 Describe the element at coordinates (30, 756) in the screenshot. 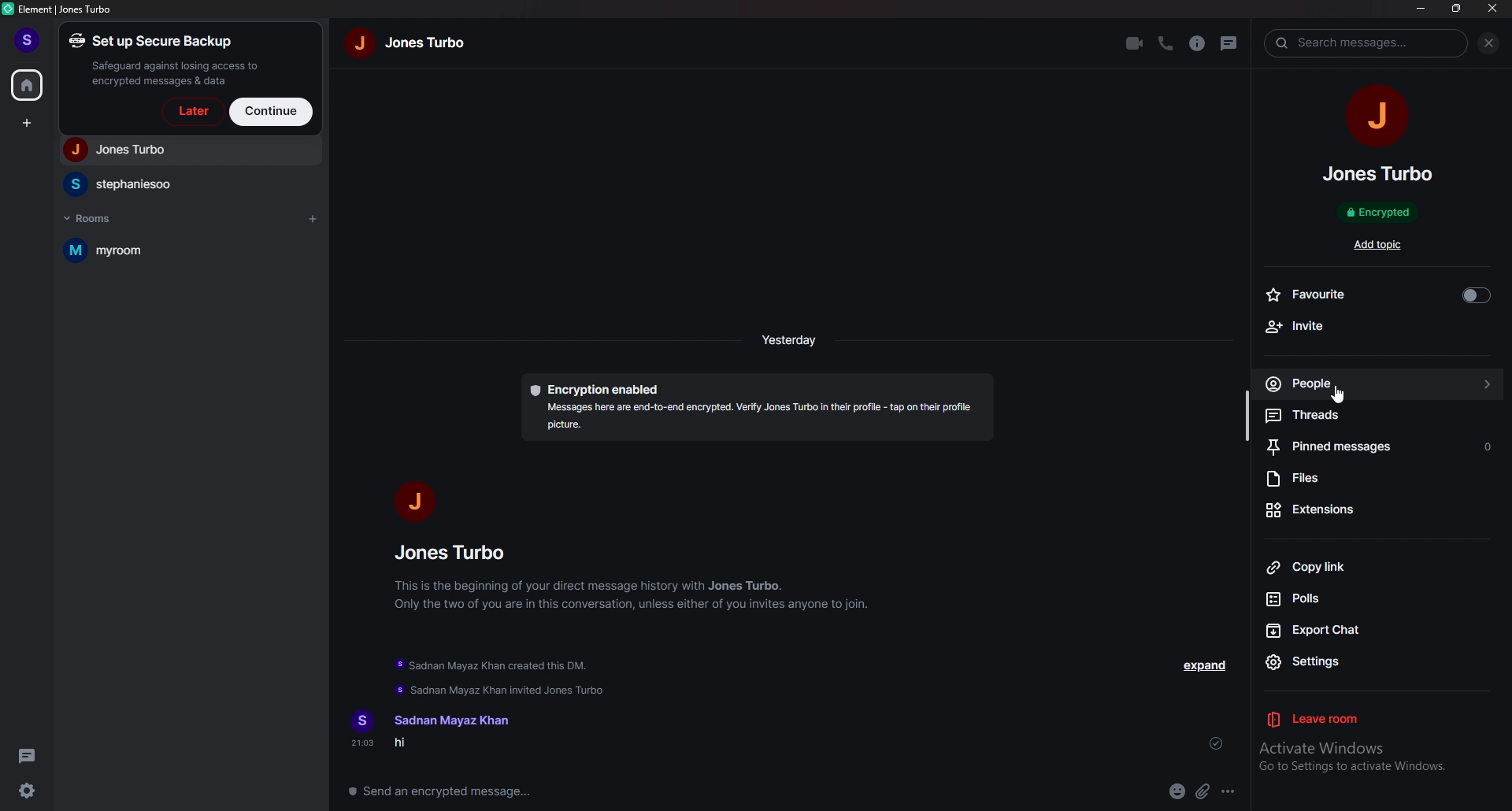

I see `threads` at that location.